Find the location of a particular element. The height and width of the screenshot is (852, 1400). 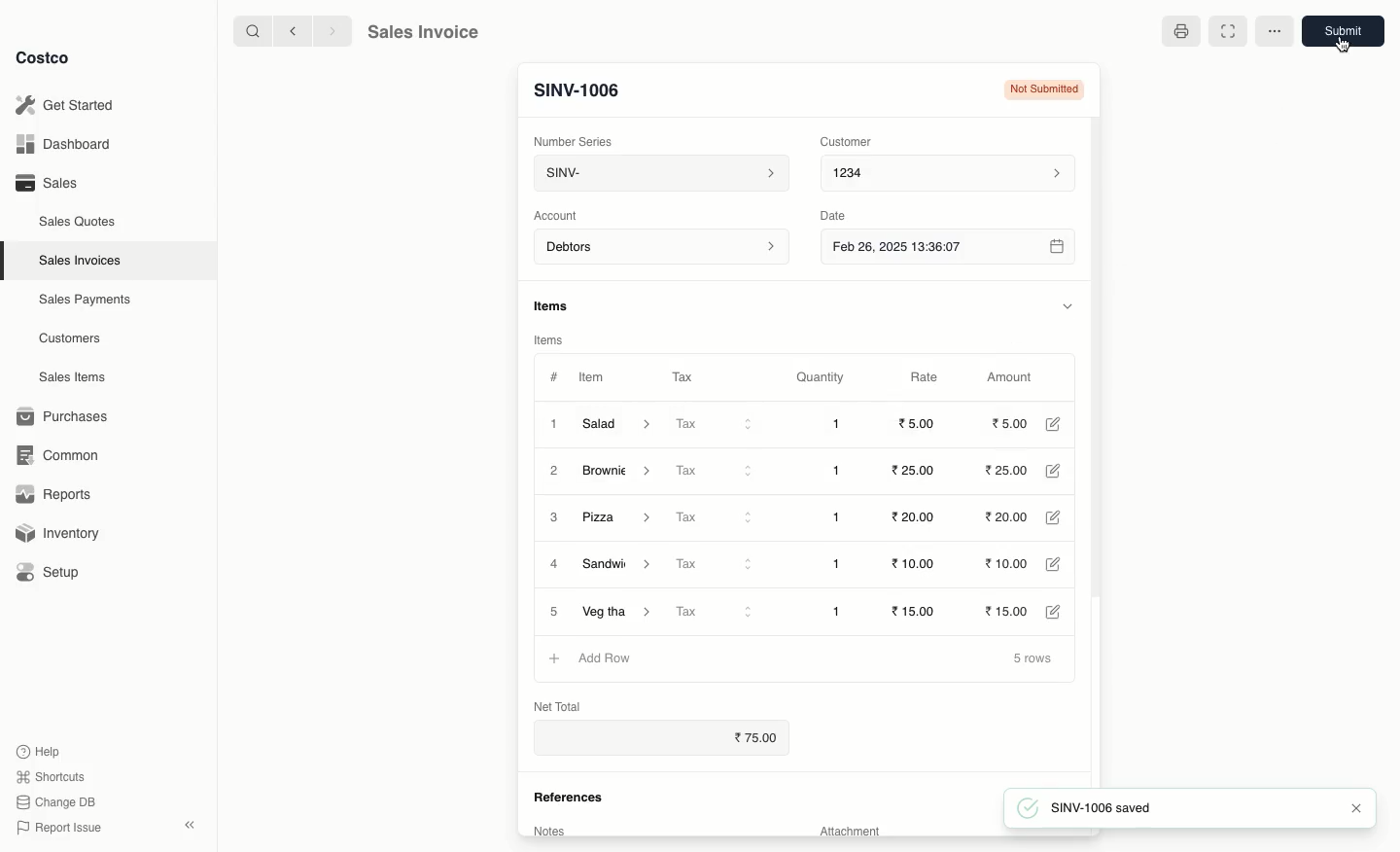

Reports is located at coordinates (54, 496).